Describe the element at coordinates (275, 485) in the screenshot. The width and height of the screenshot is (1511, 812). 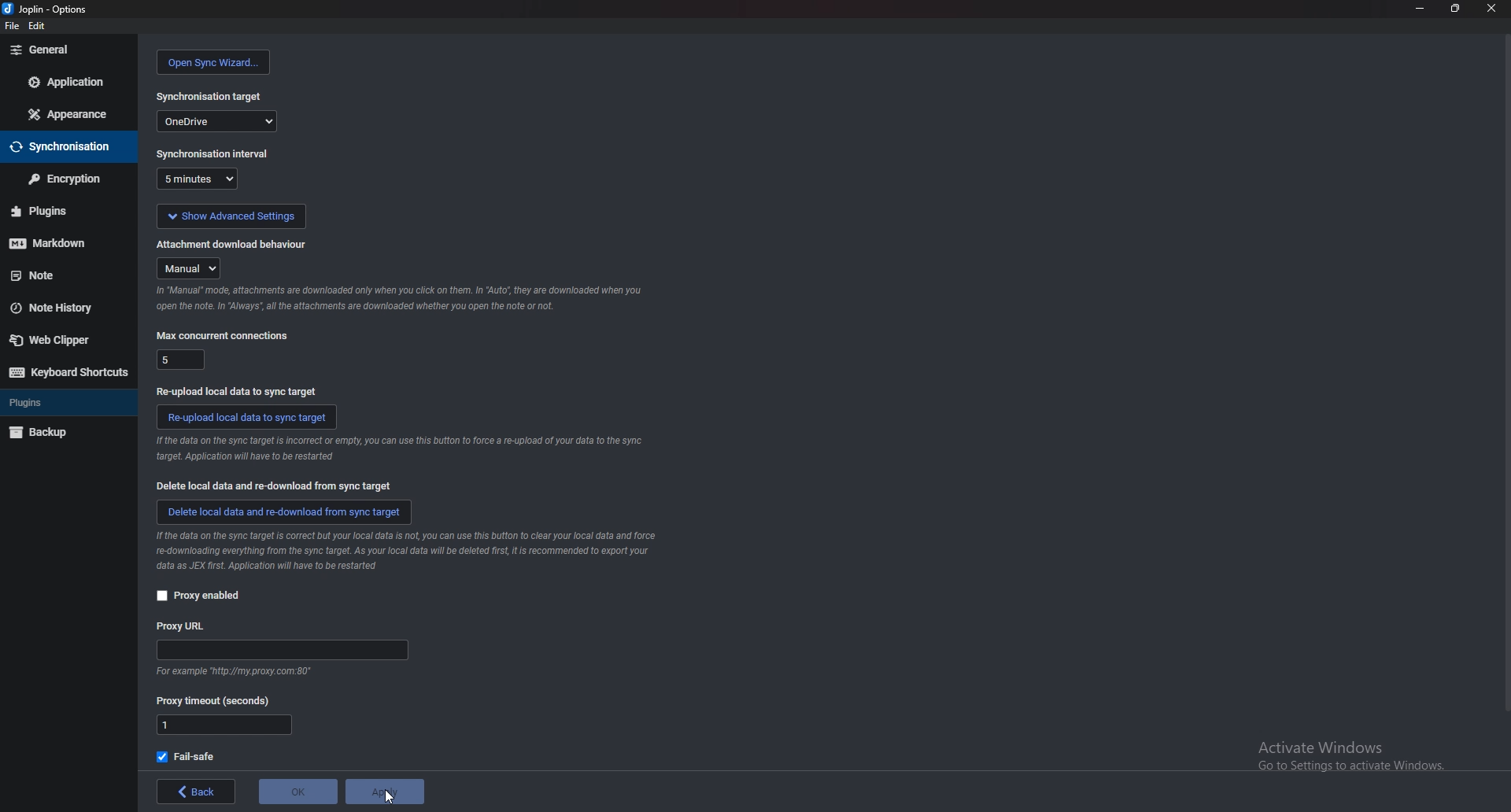
I see `delete local data` at that location.